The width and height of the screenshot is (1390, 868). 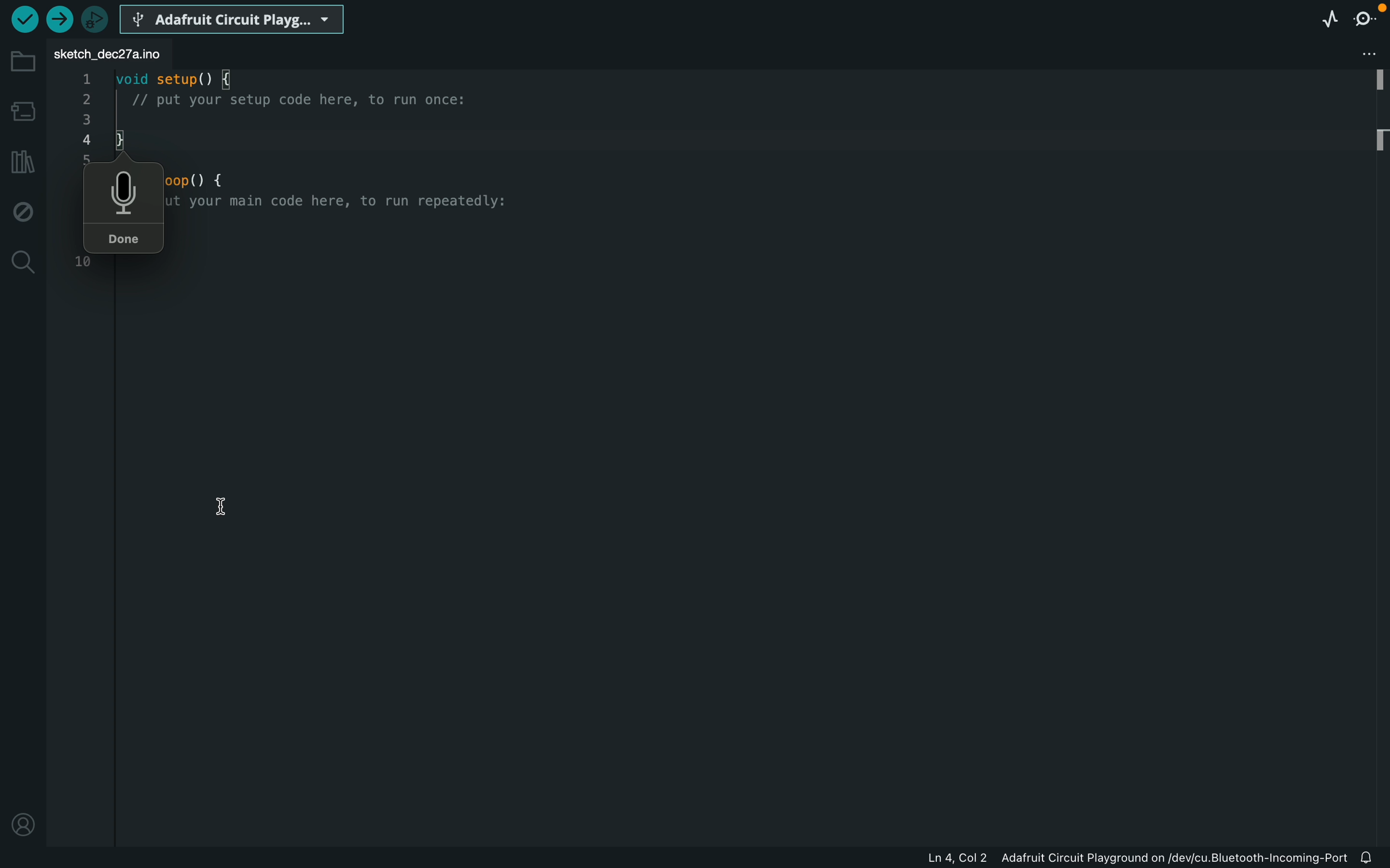 What do you see at coordinates (1321, 18) in the screenshot?
I see `serial plotter` at bounding box center [1321, 18].